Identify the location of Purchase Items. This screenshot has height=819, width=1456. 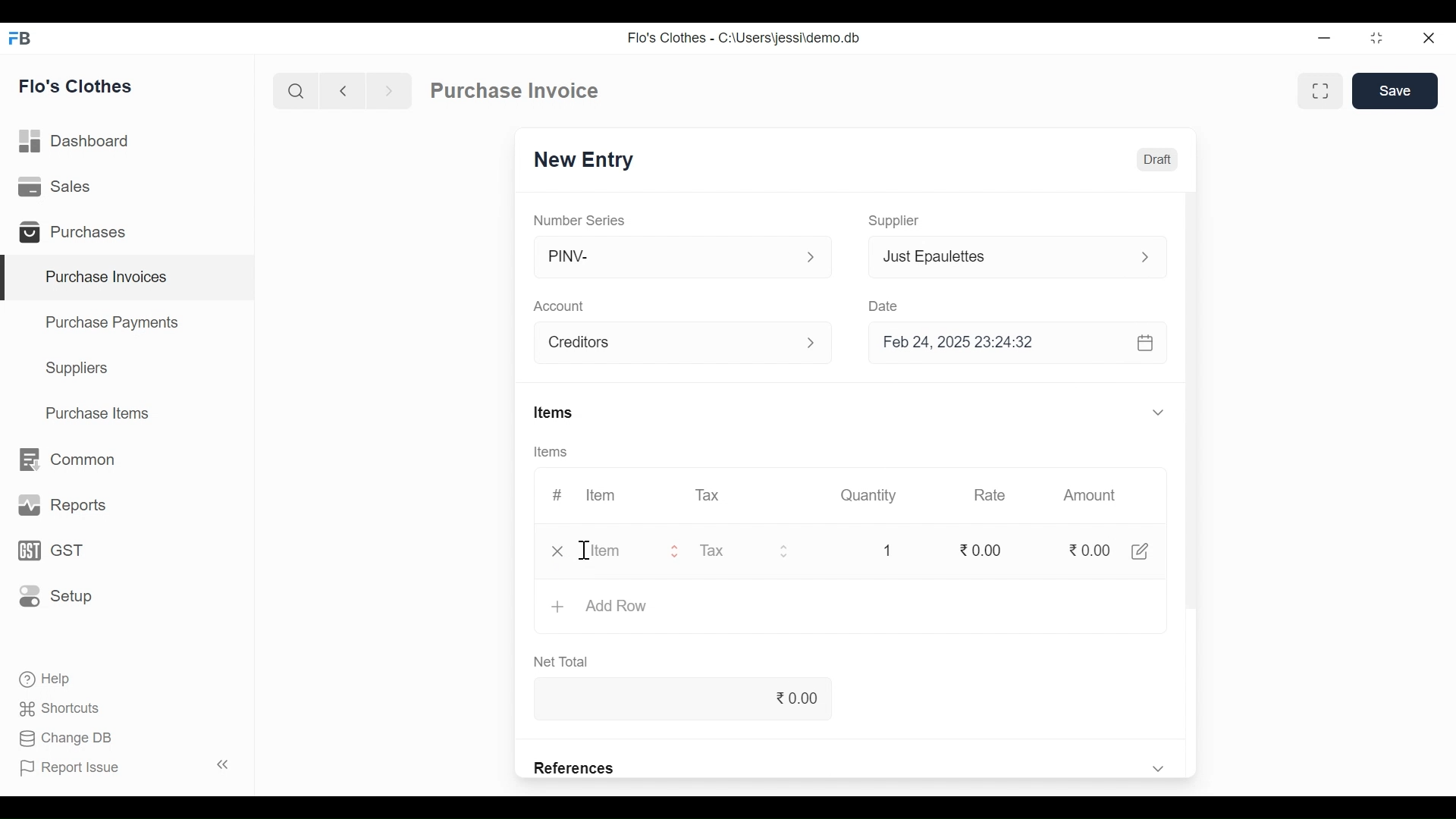
(101, 413).